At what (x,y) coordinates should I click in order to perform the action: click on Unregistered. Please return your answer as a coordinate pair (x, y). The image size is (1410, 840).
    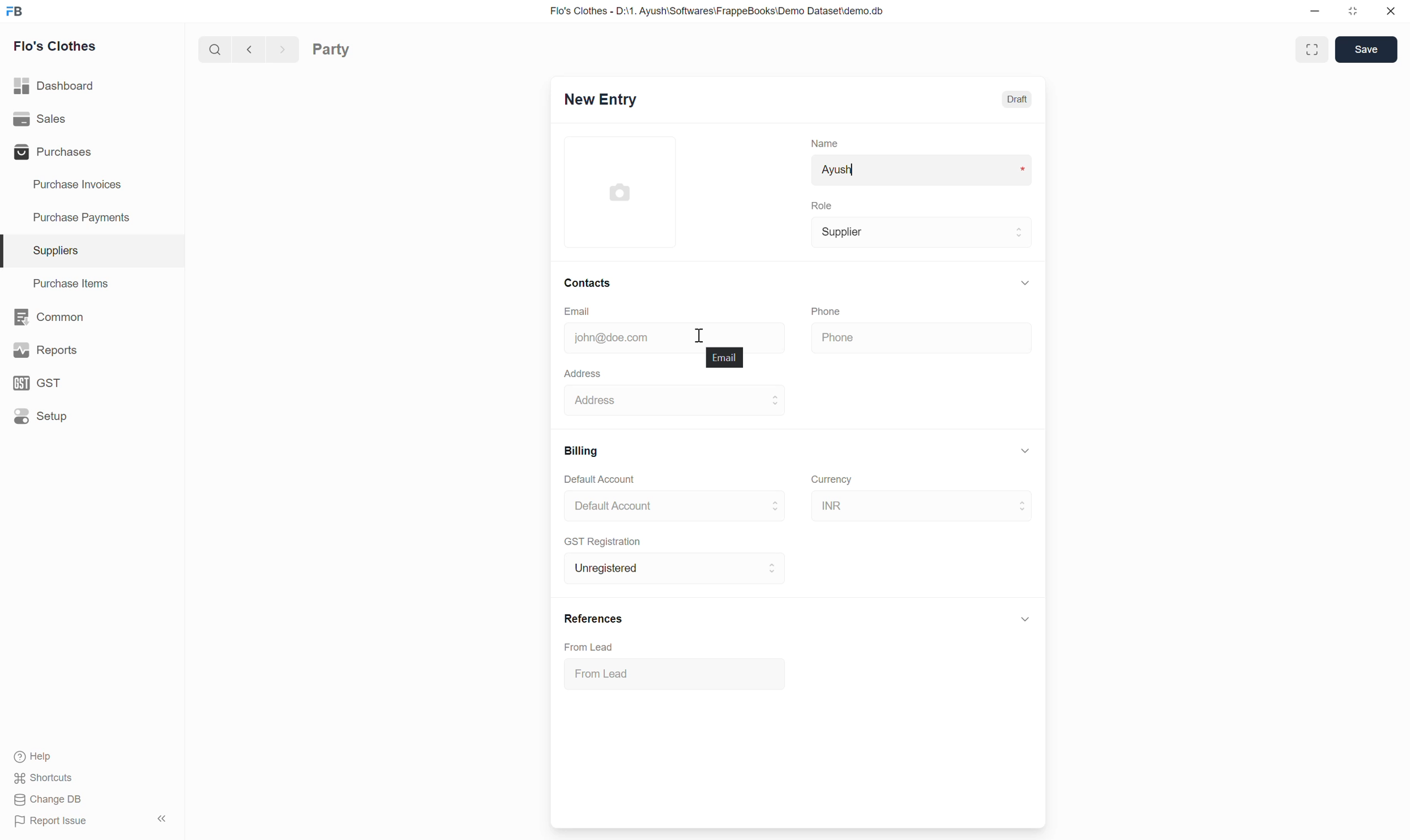
    Looking at the image, I should click on (675, 568).